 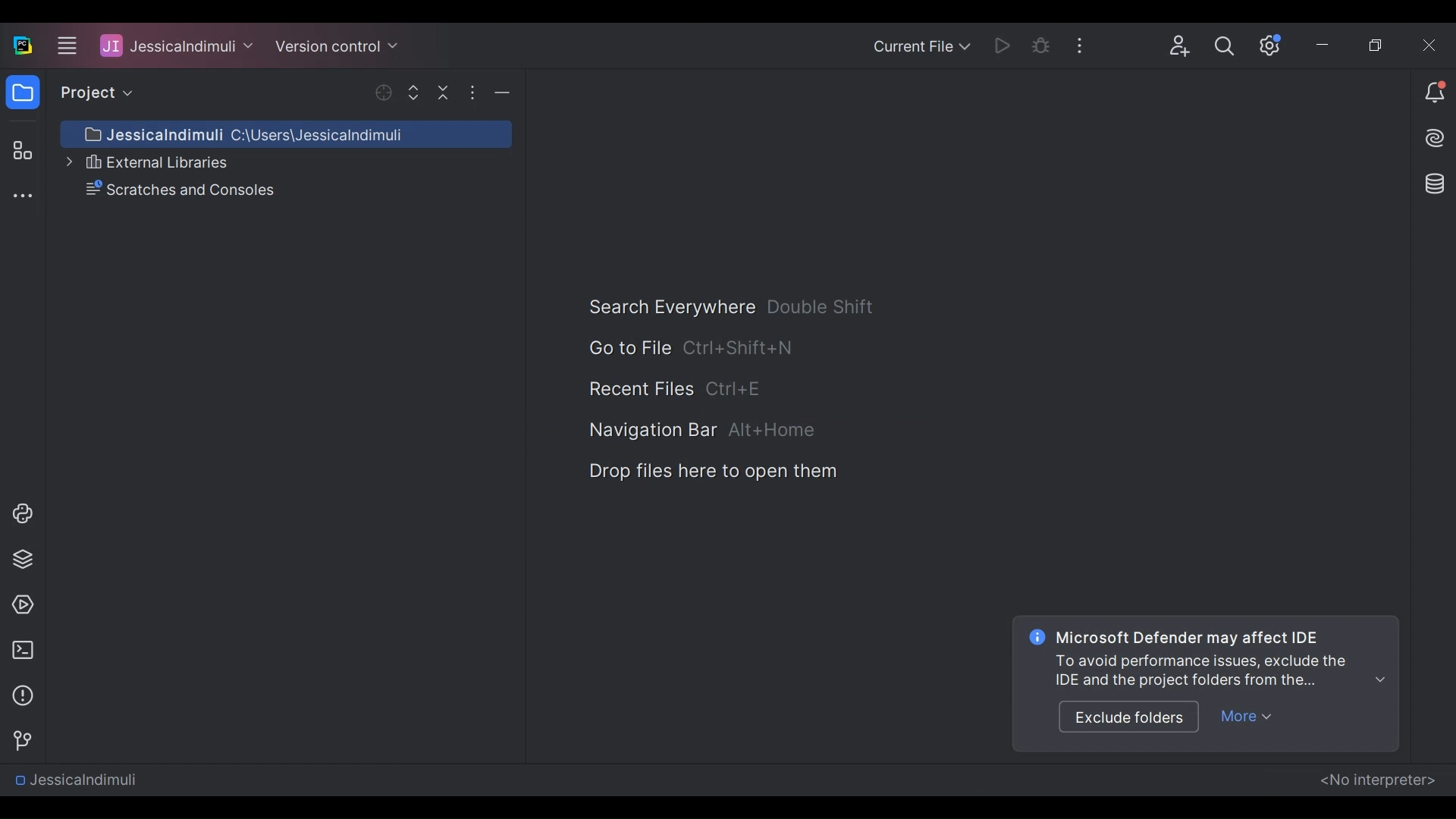 I want to click on Bug, so click(x=1040, y=47).